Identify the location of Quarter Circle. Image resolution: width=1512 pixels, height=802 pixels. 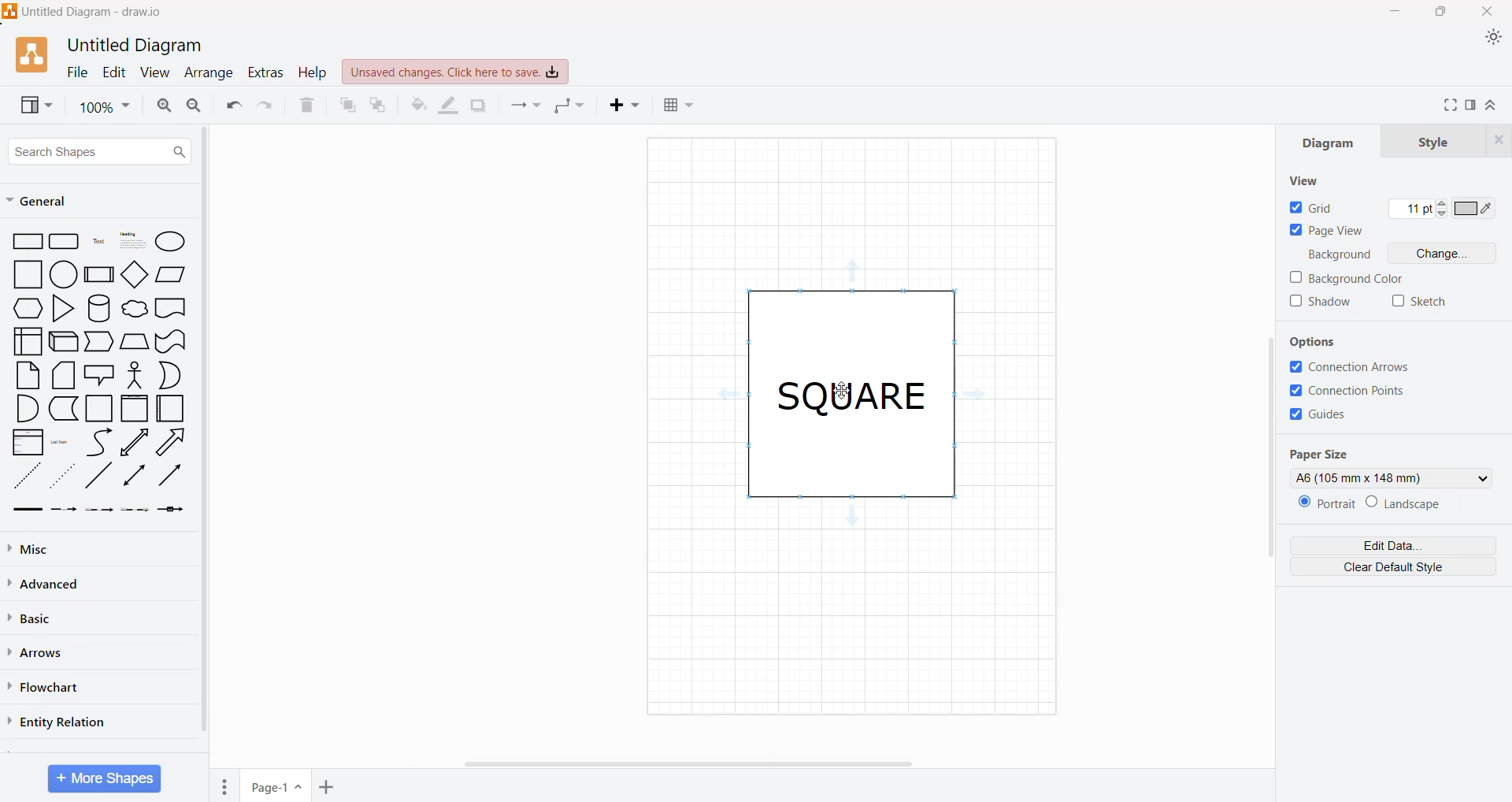
(25, 407).